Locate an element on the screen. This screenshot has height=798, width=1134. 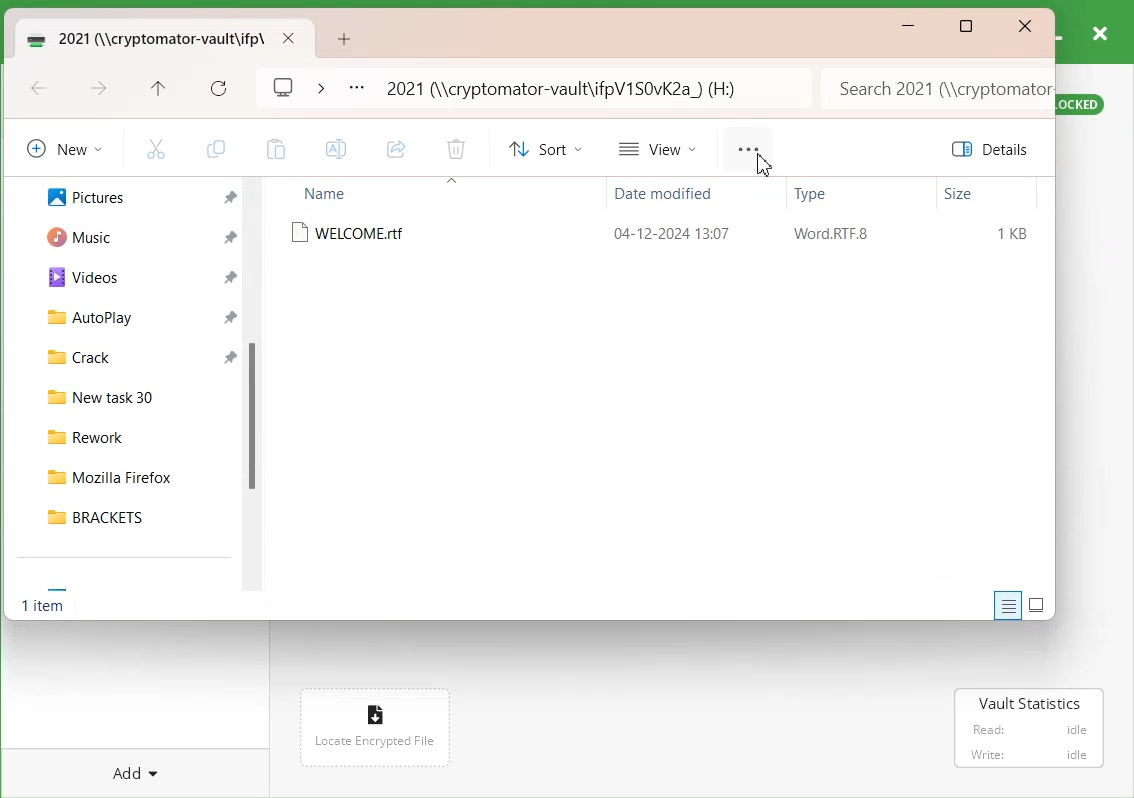
Rework is located at coordinates (132, 434).